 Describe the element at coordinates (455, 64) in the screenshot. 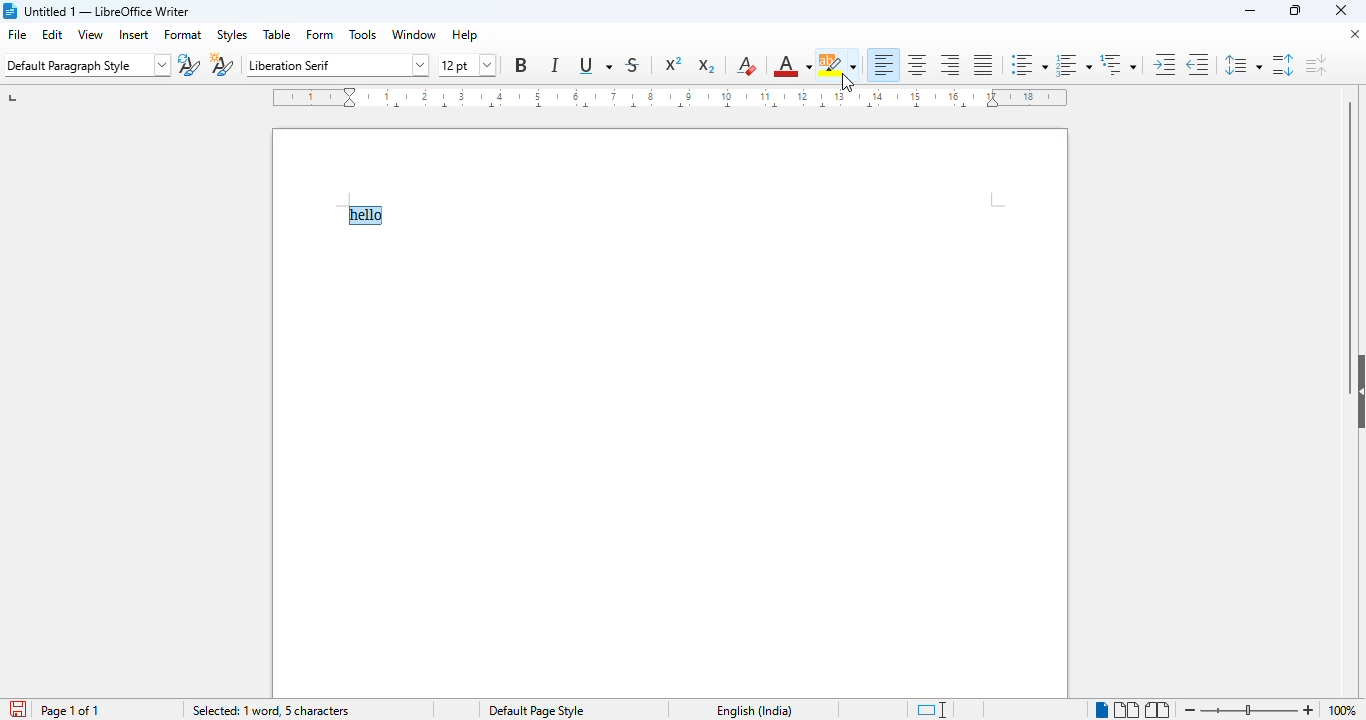

I see `12 pt` at that location.